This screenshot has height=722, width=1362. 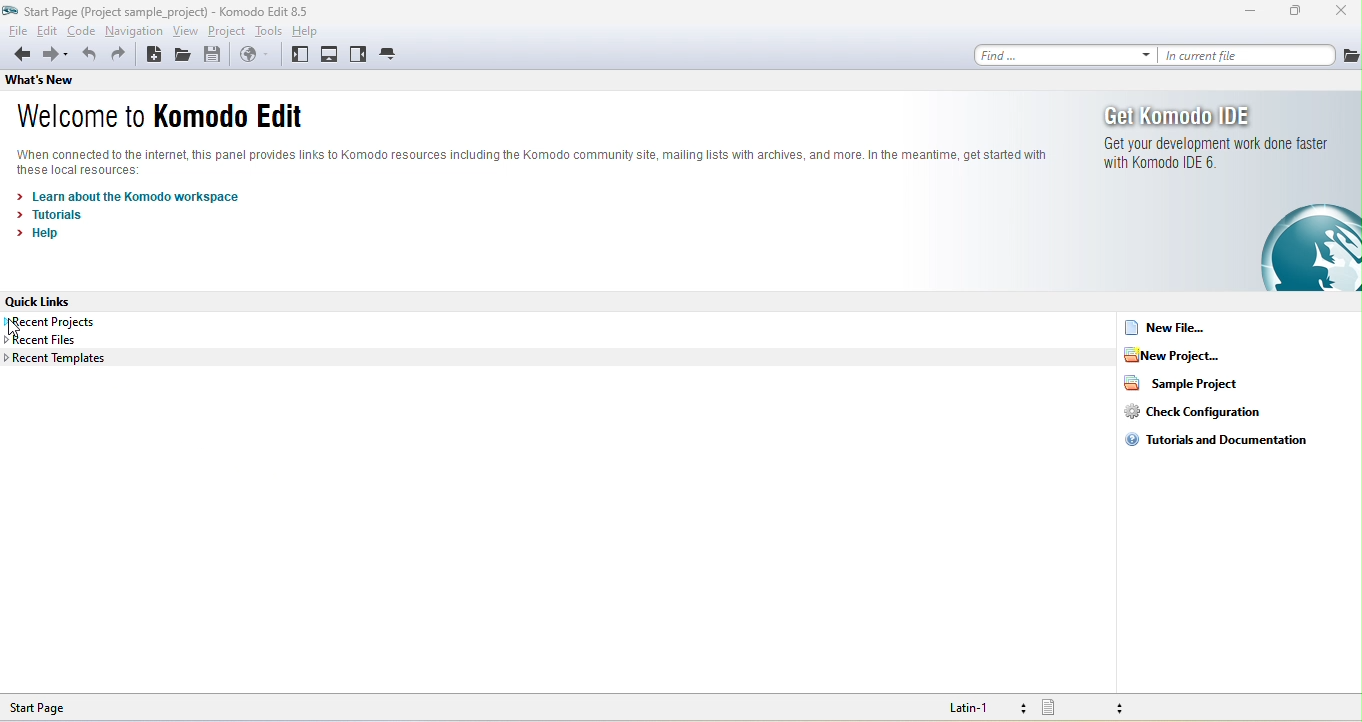 What do you see at coordinates (61, 360) in the screenshot?
I see `recent temoplates` at bounding box center [61, 360].